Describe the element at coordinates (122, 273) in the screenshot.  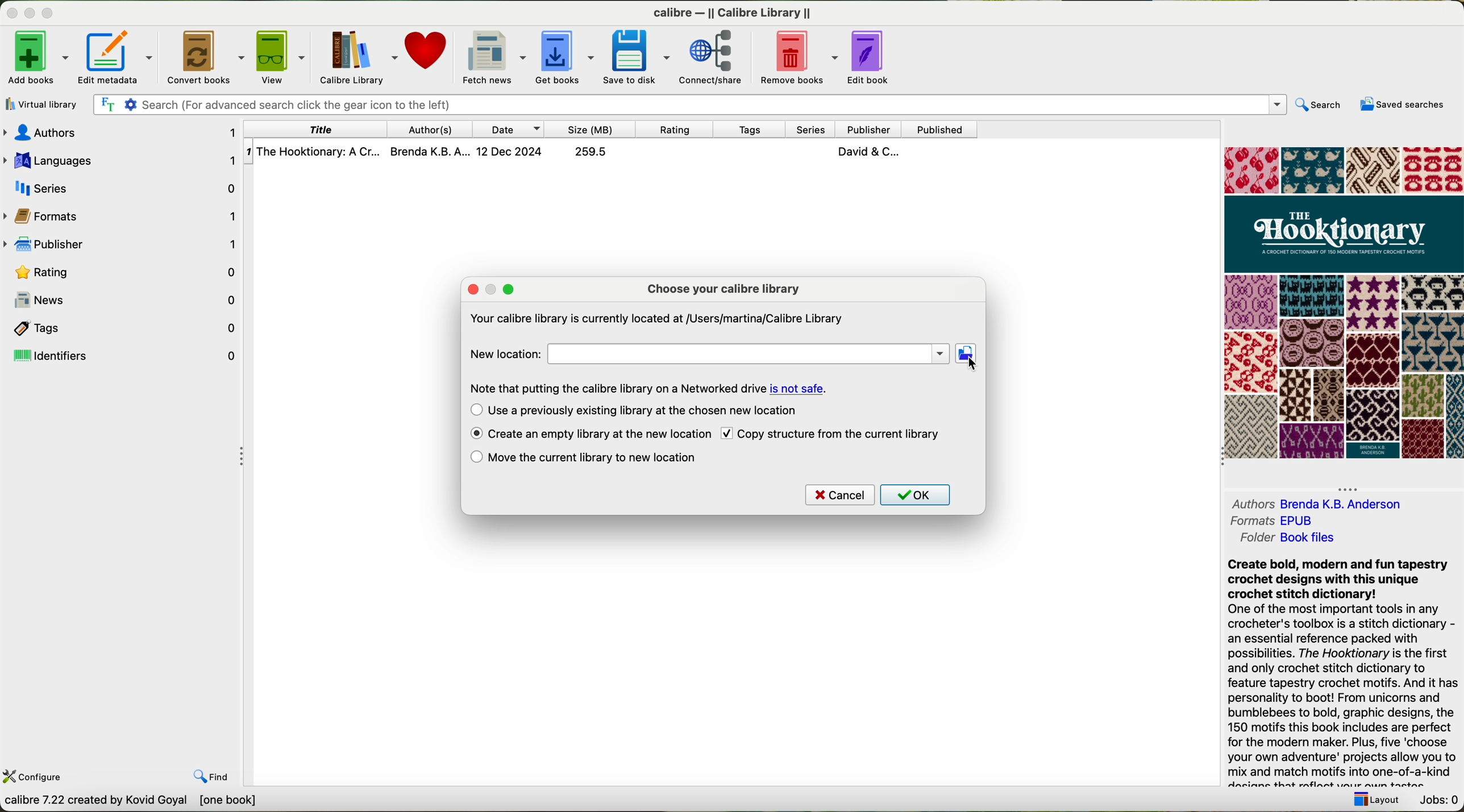
I see `rating` at that location.